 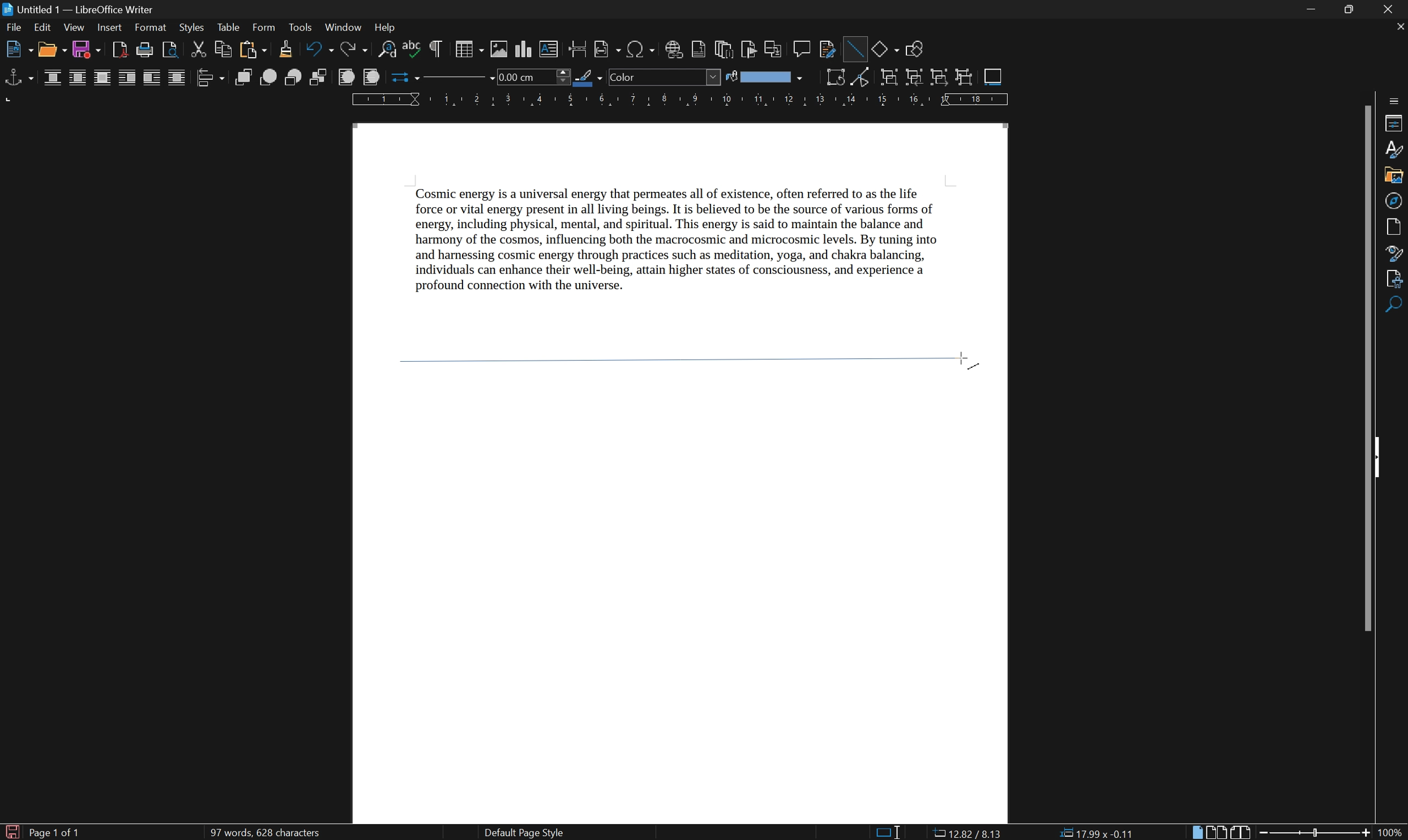 What do you see at coordinates (589, 78) in the screenshot?
I see `line color` at bounding box center [589, 78].